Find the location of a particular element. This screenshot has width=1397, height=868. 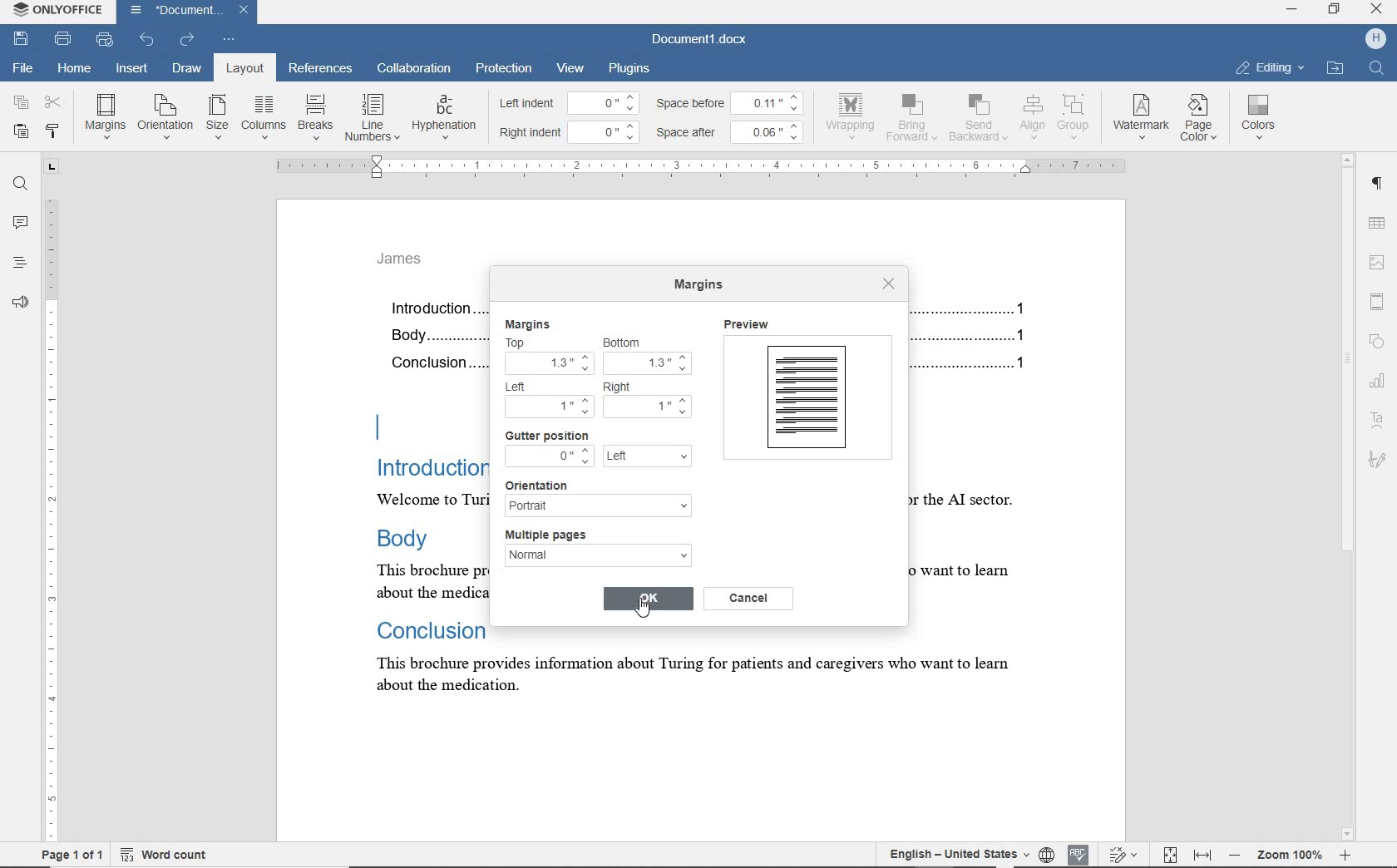

align is located at coordinates (1030, 116).